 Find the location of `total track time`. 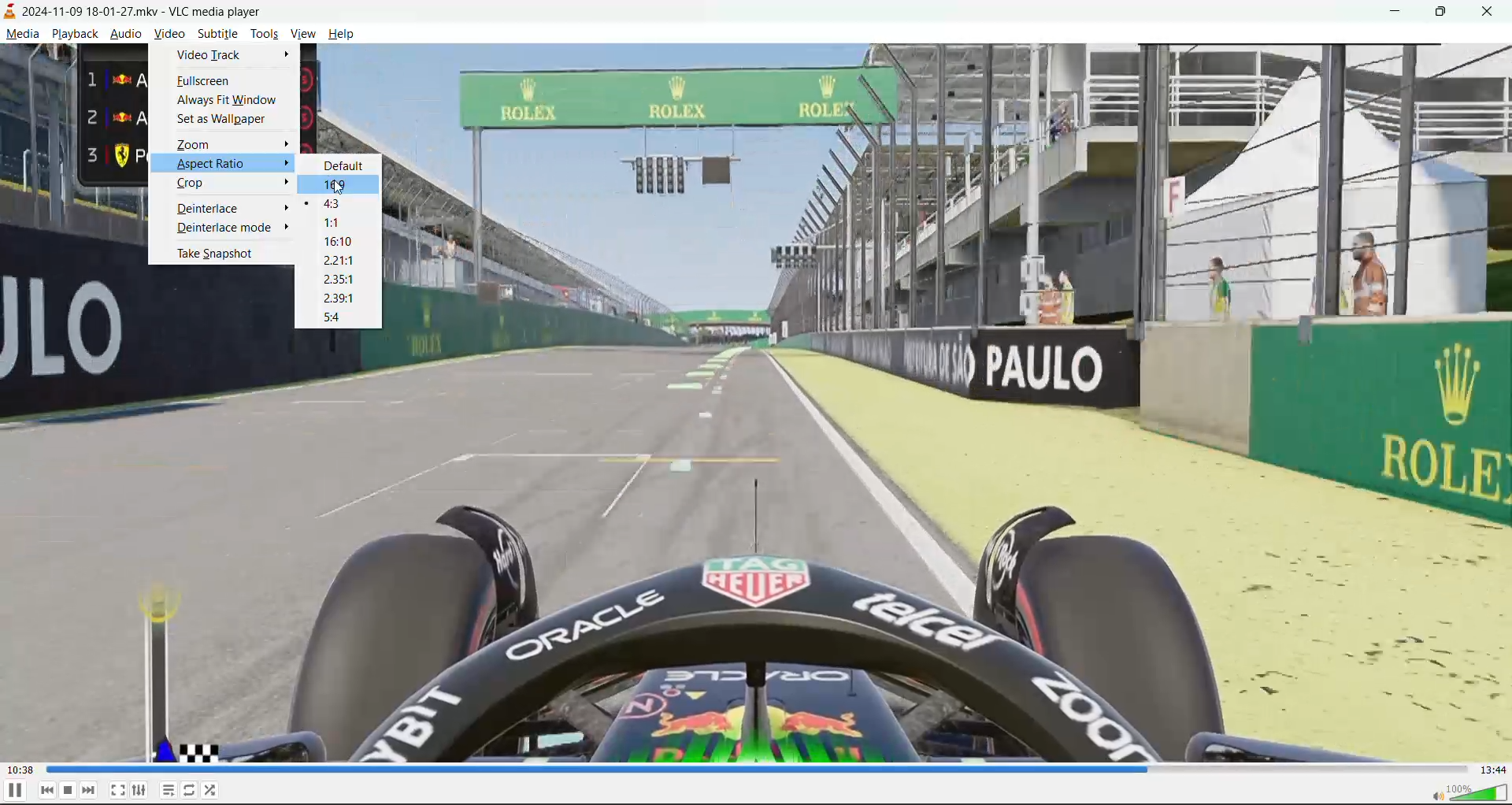

total track time is located at coordinates (1493, 770).